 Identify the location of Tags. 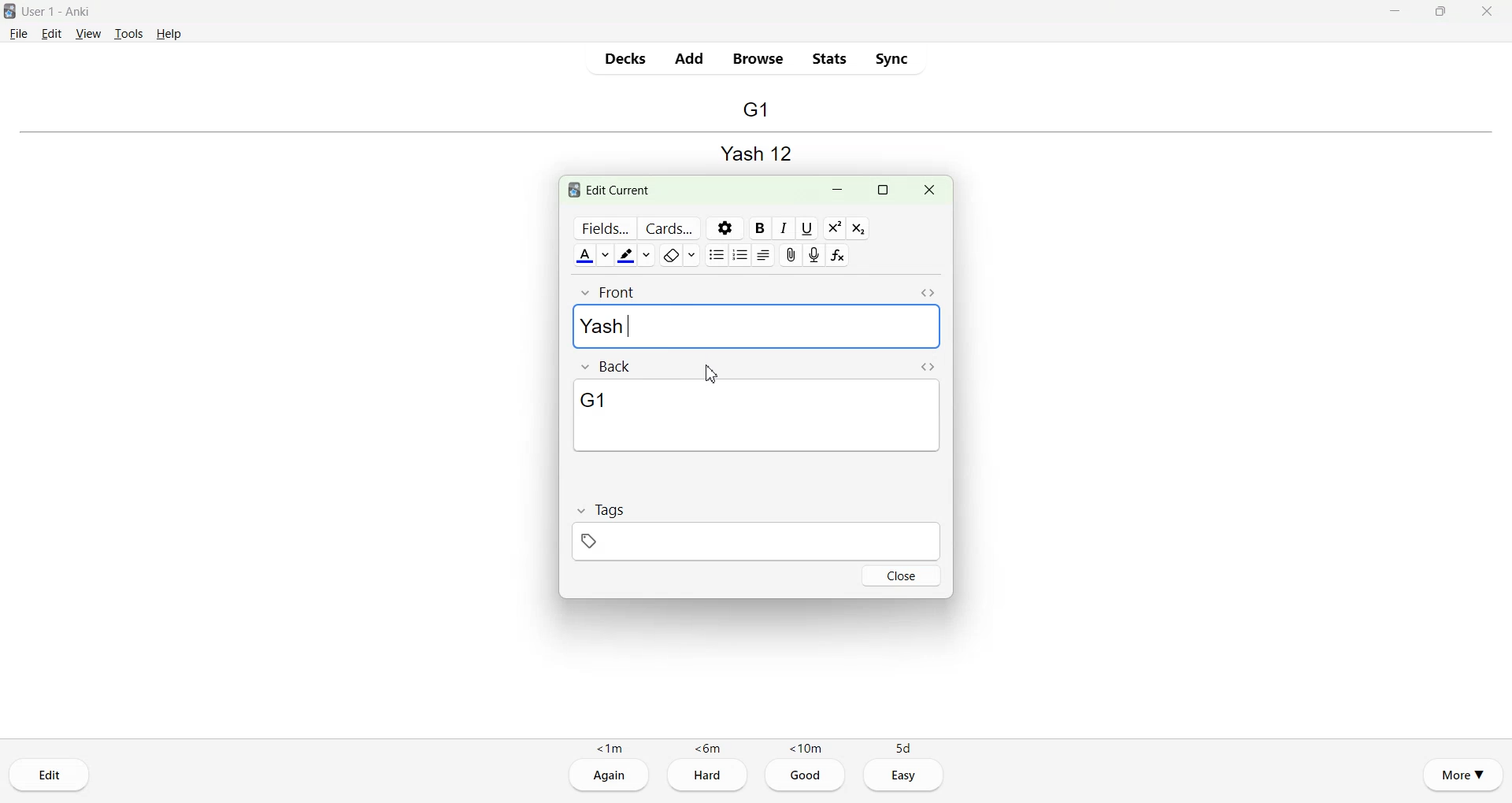
(600, 509).